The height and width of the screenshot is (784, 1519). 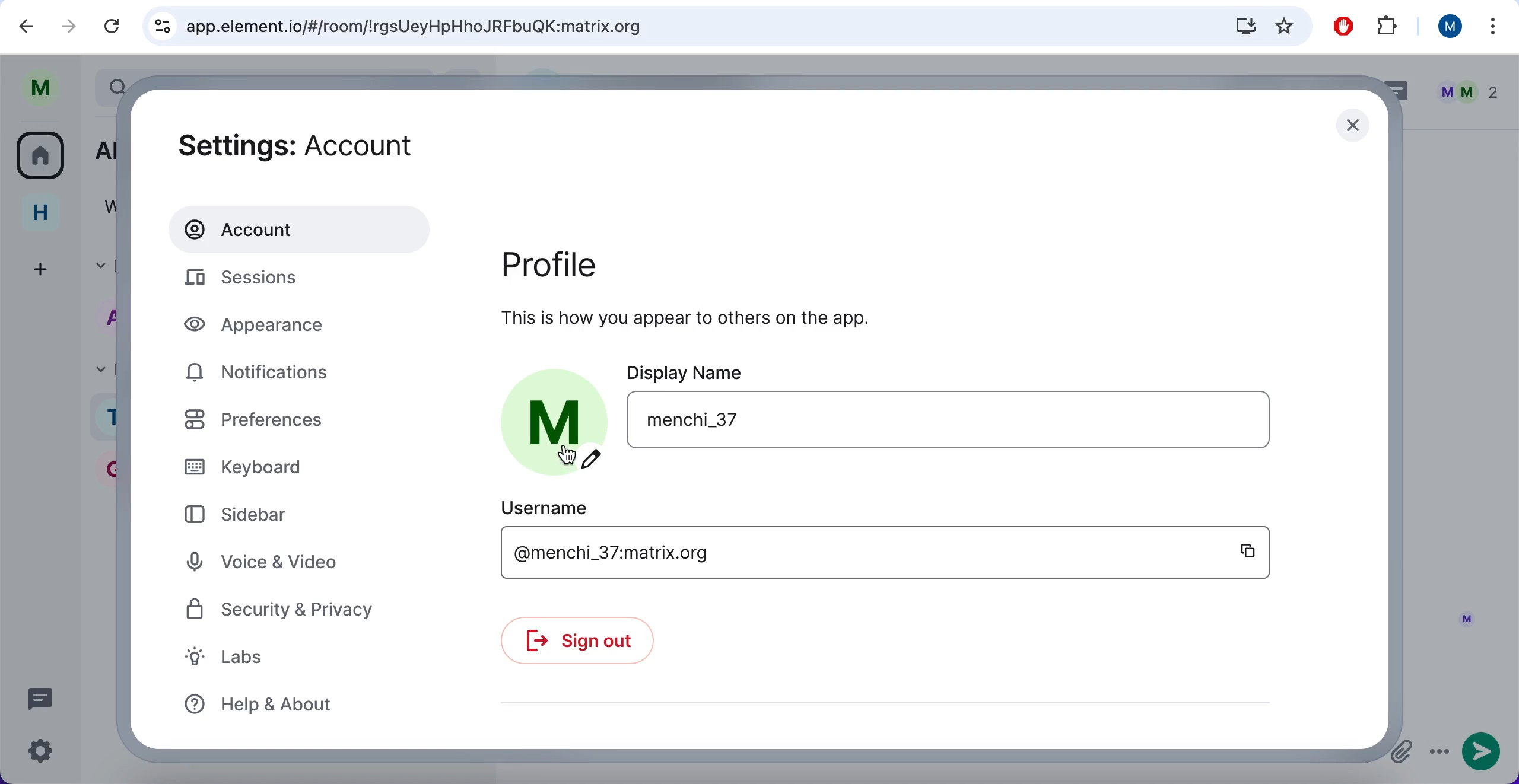 What do you see at coordinates (265, 466) in the screenshot?
I see `keyboard` at bounding box center [265, 466].